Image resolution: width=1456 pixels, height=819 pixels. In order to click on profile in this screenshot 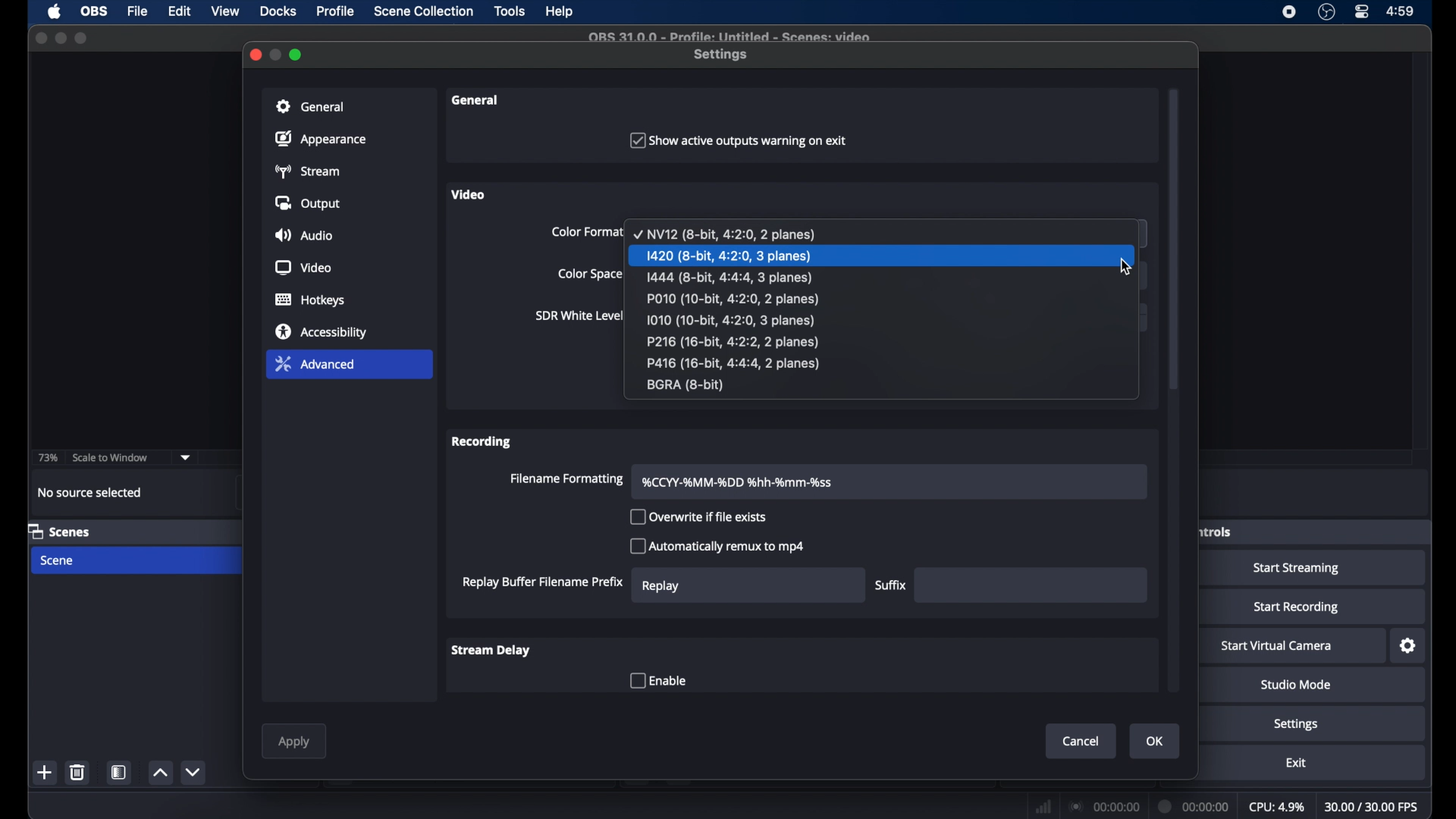, I will do `click(337, 11)`.